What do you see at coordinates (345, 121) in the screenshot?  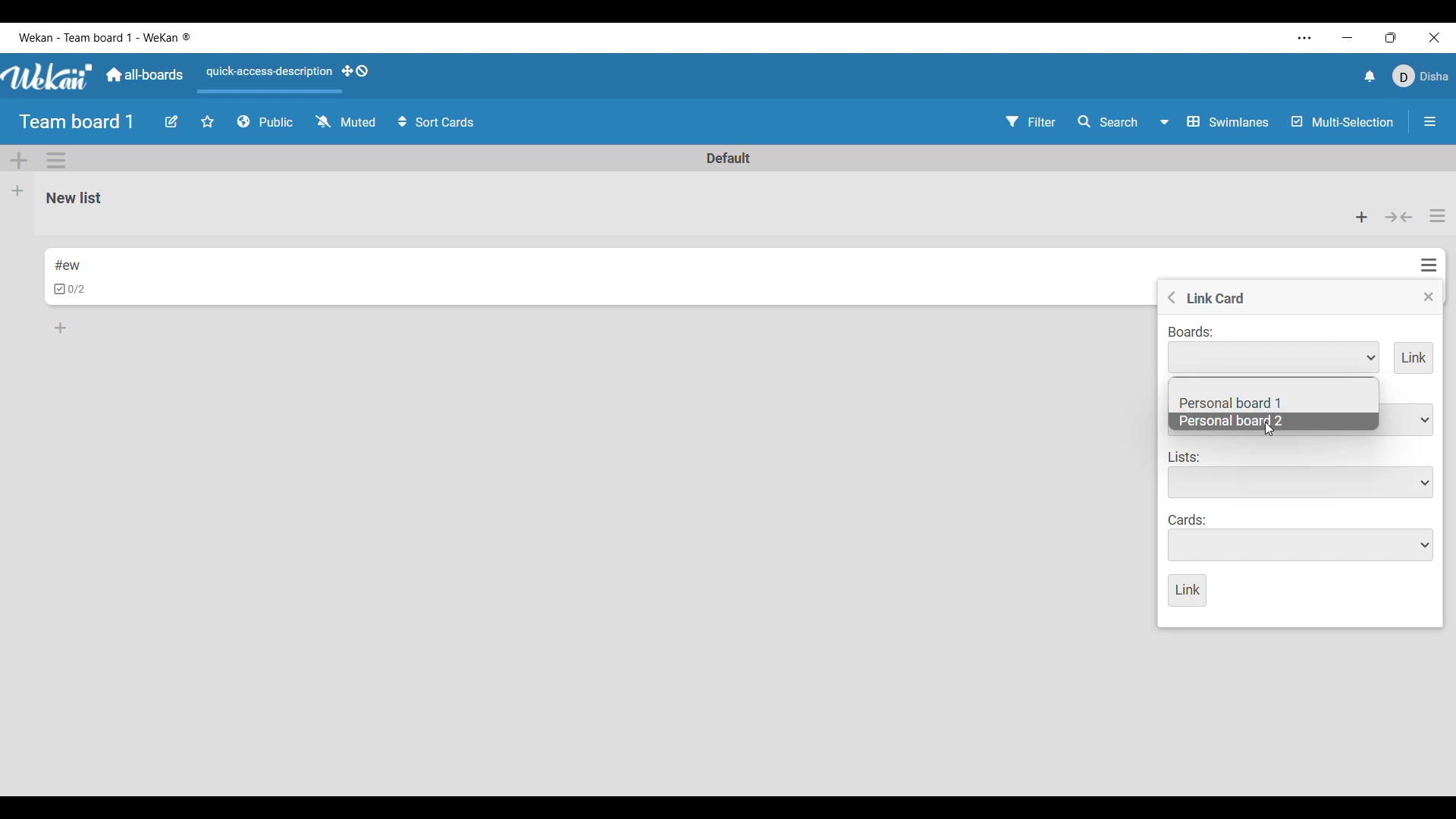 I see `Change watch options` at bounding box center [345, 121].